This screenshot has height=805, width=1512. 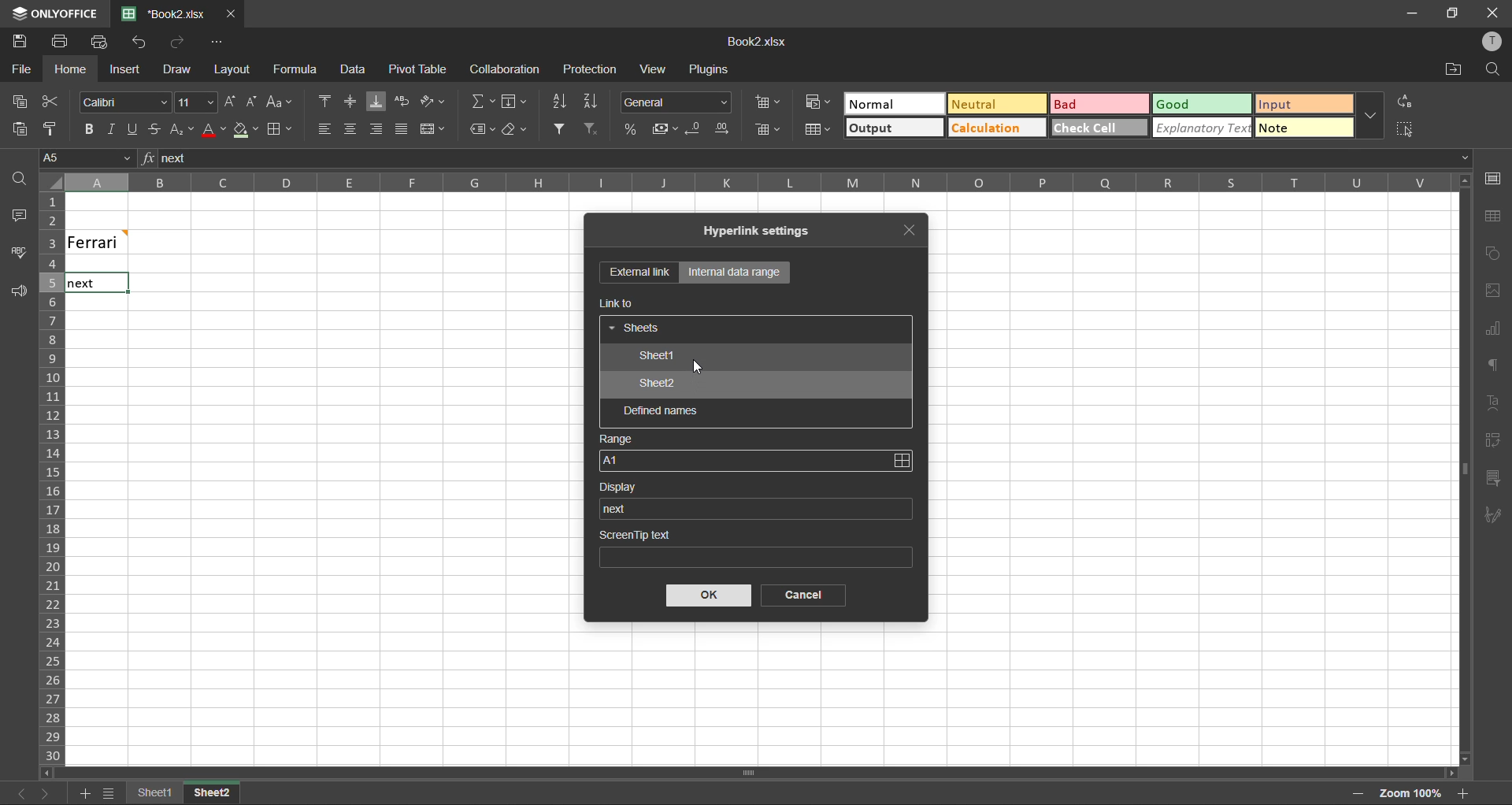 What do you see at coordinates (1407, 13) in the screenshot?
I see `minimize` at bounding box center [1407, 13].